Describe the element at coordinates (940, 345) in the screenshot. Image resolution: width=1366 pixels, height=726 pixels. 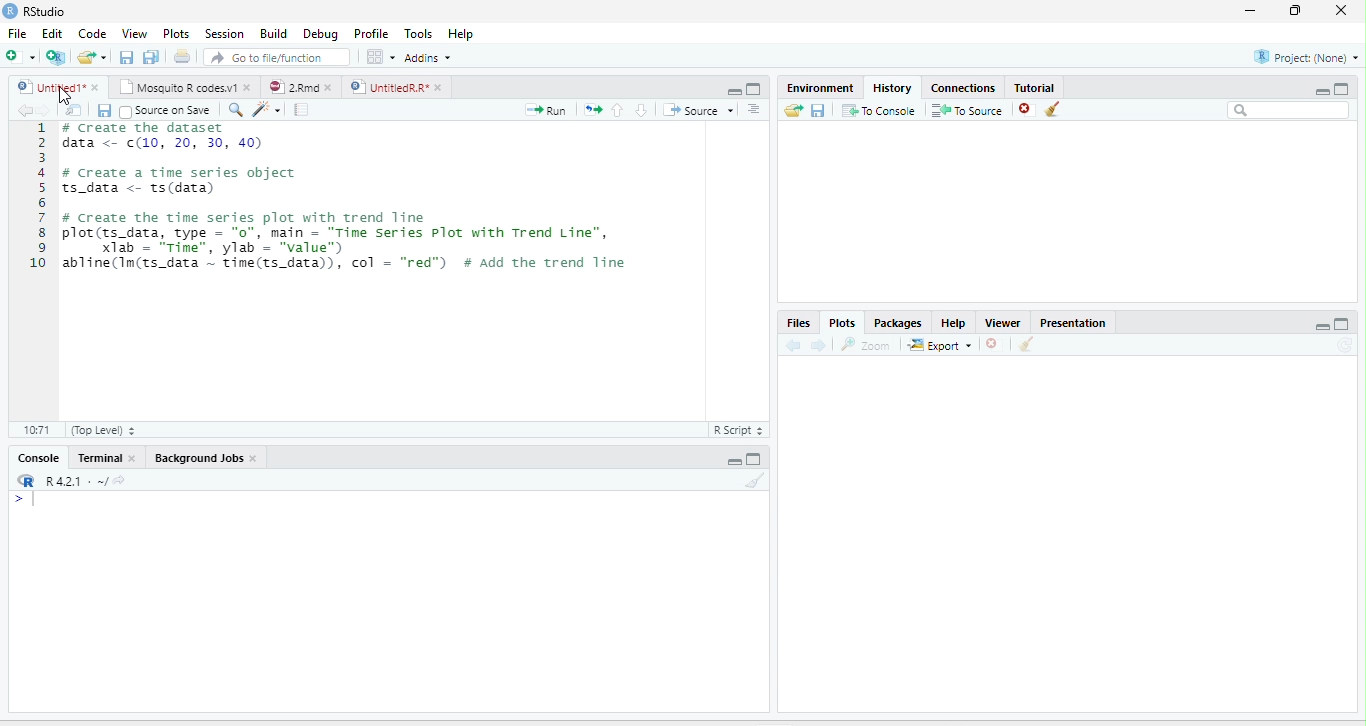
I see `Export` at that location.